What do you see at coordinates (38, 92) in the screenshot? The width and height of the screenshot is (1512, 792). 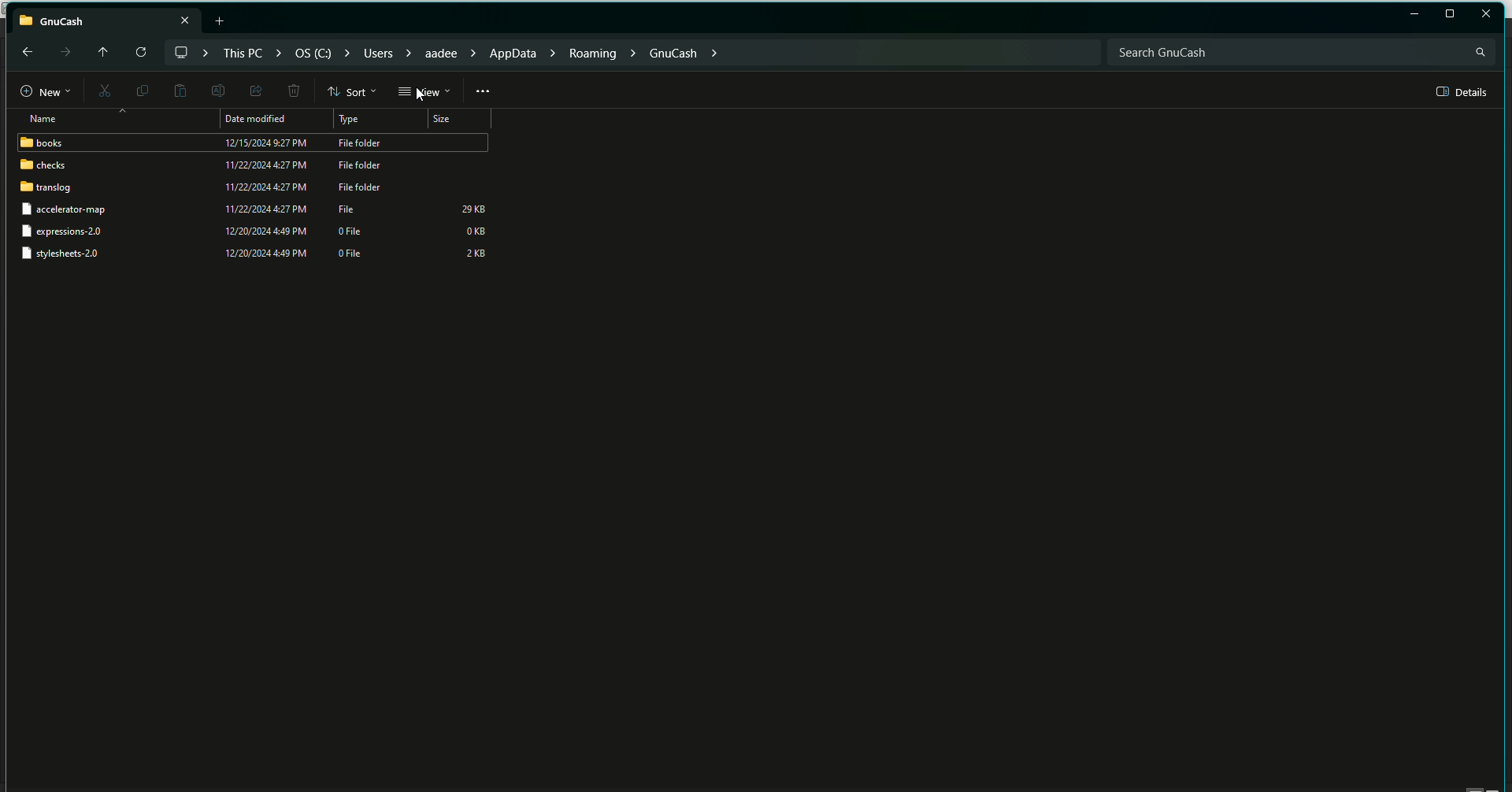 I see `New` at bounding box center [38, 92].